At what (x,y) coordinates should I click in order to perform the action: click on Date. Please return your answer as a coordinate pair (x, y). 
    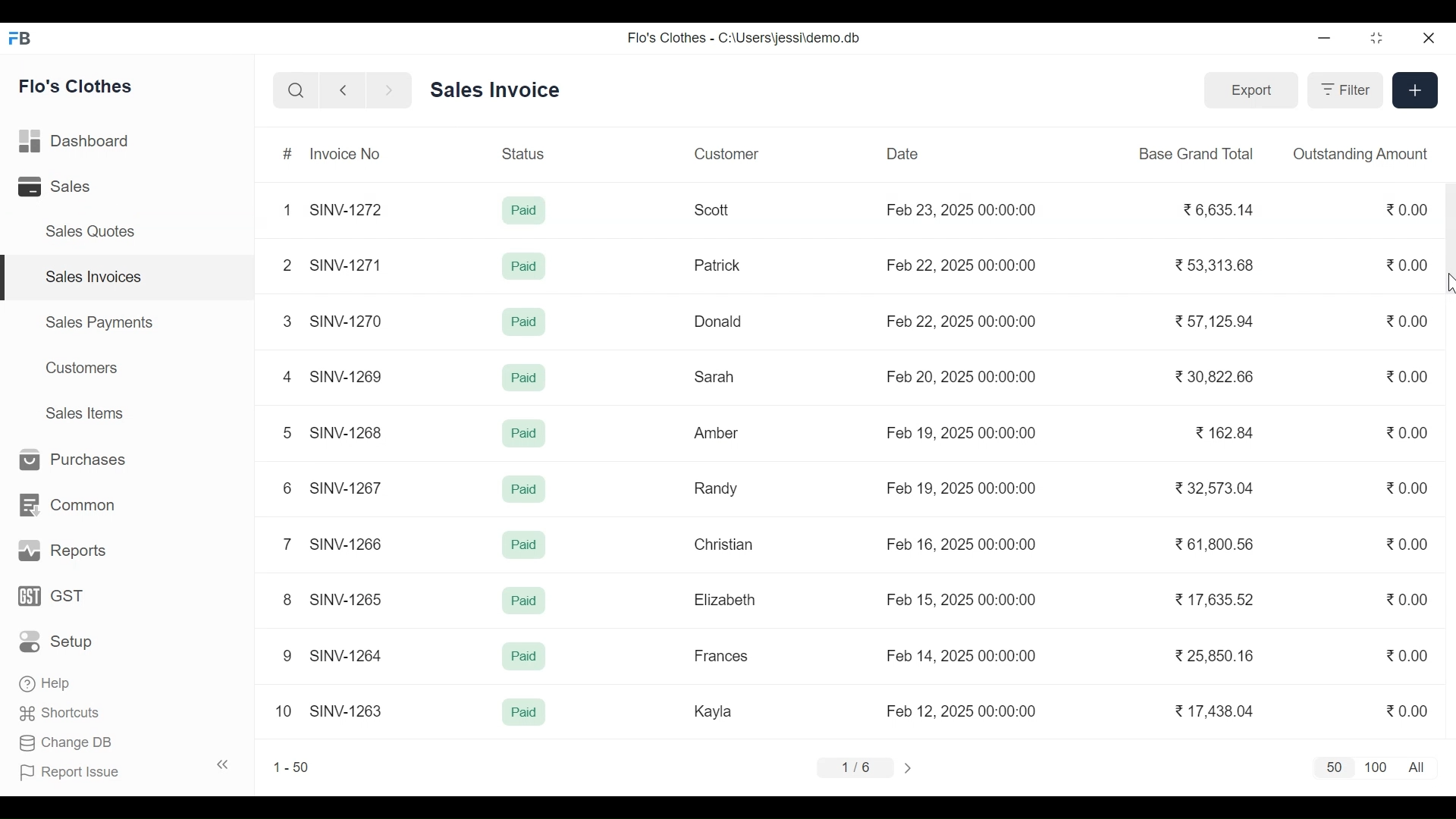
    Looking at the image, I should click on (903, 153).